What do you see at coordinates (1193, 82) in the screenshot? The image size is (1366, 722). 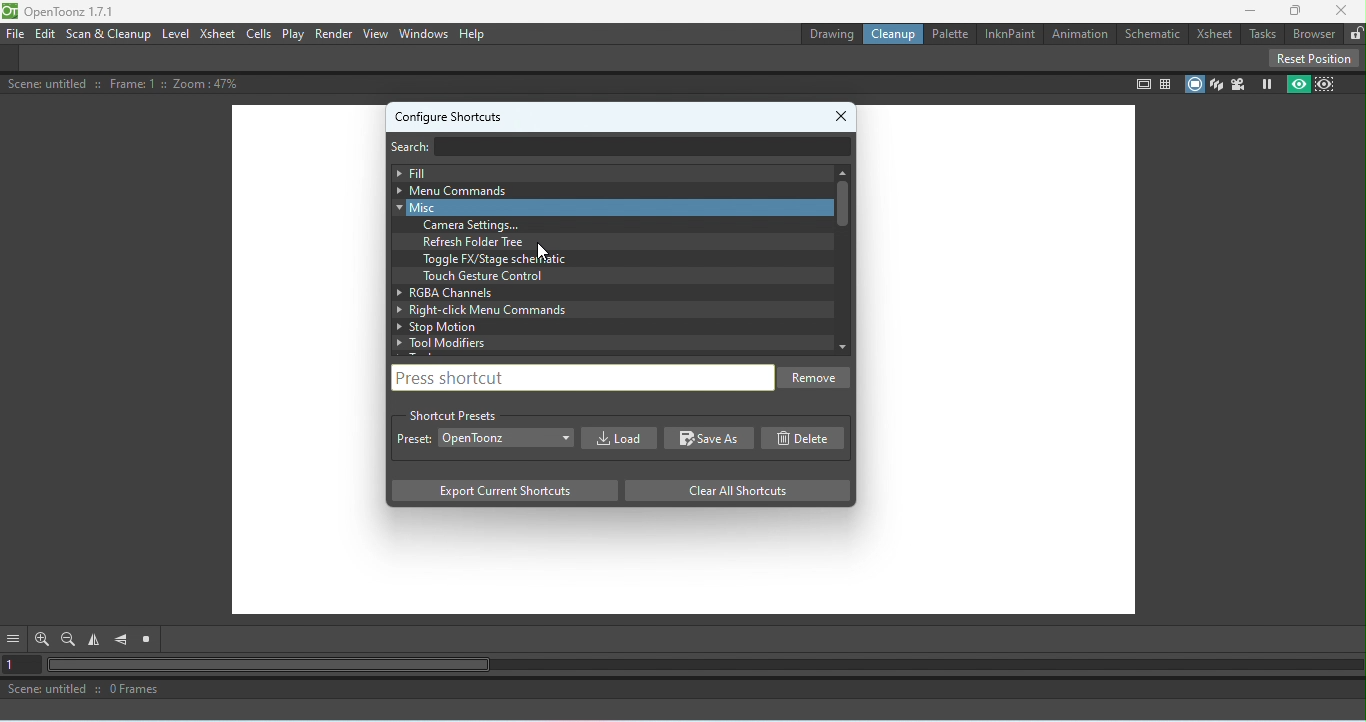 I see `Camera stand view` at bounding box center [1193, 82].